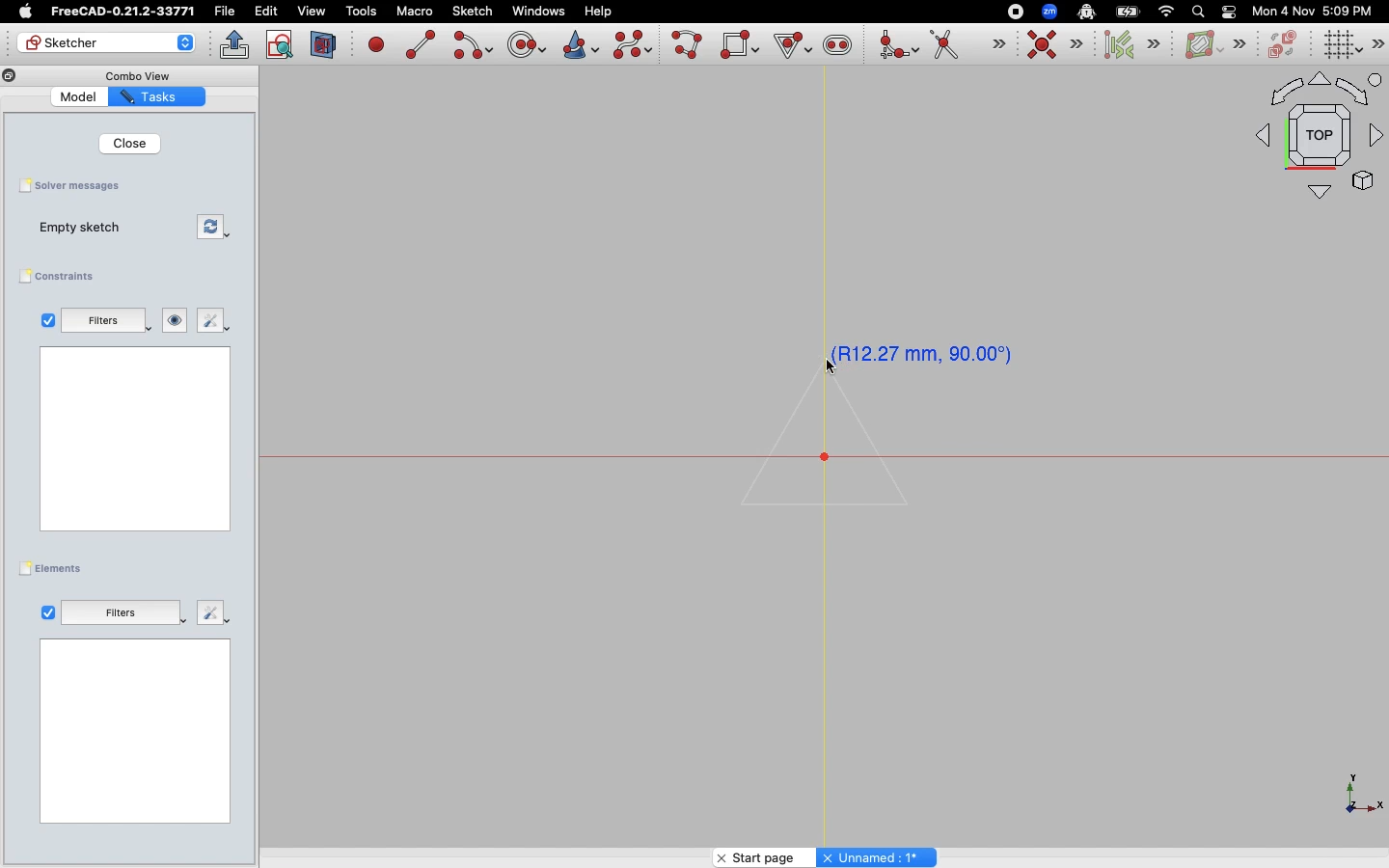 This screenshot has width=1389, height=868. I want to click on Fix, so click(209, 612).